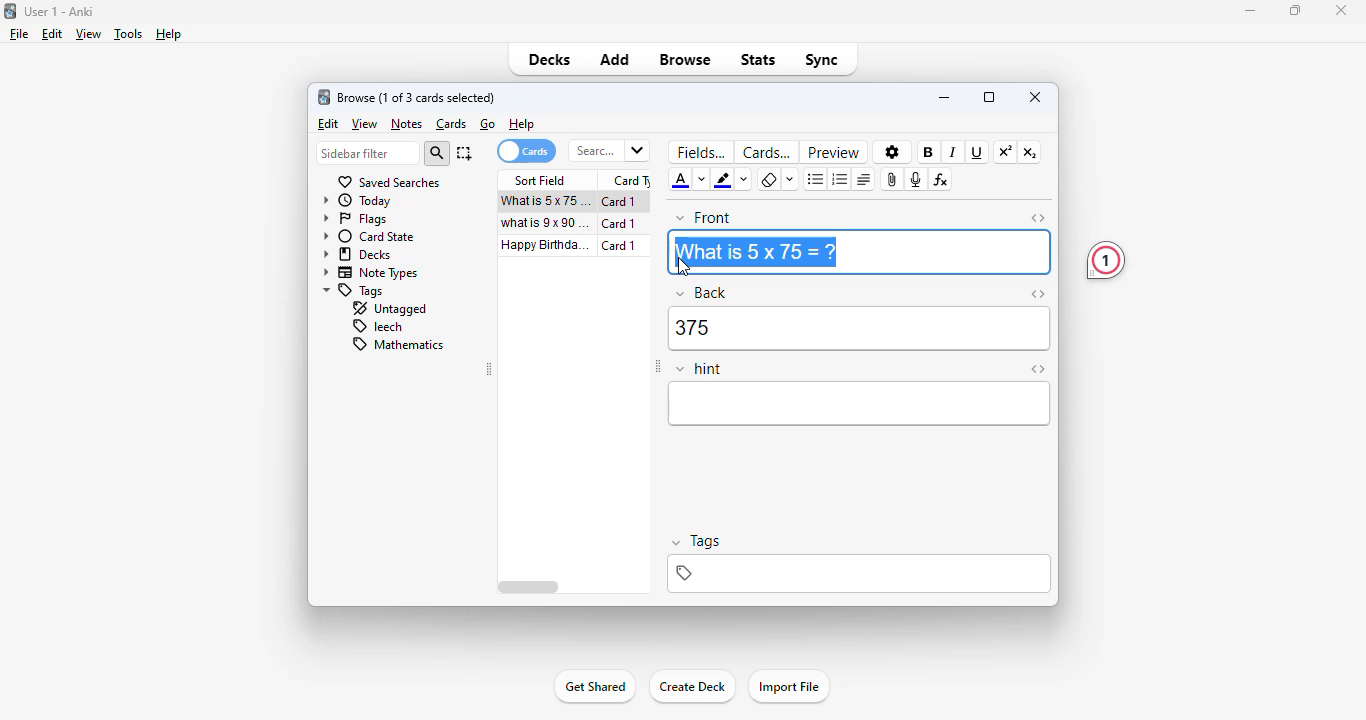  Describe the element at coordinates (703, 218) in the screenshot. I see `front` at that location.